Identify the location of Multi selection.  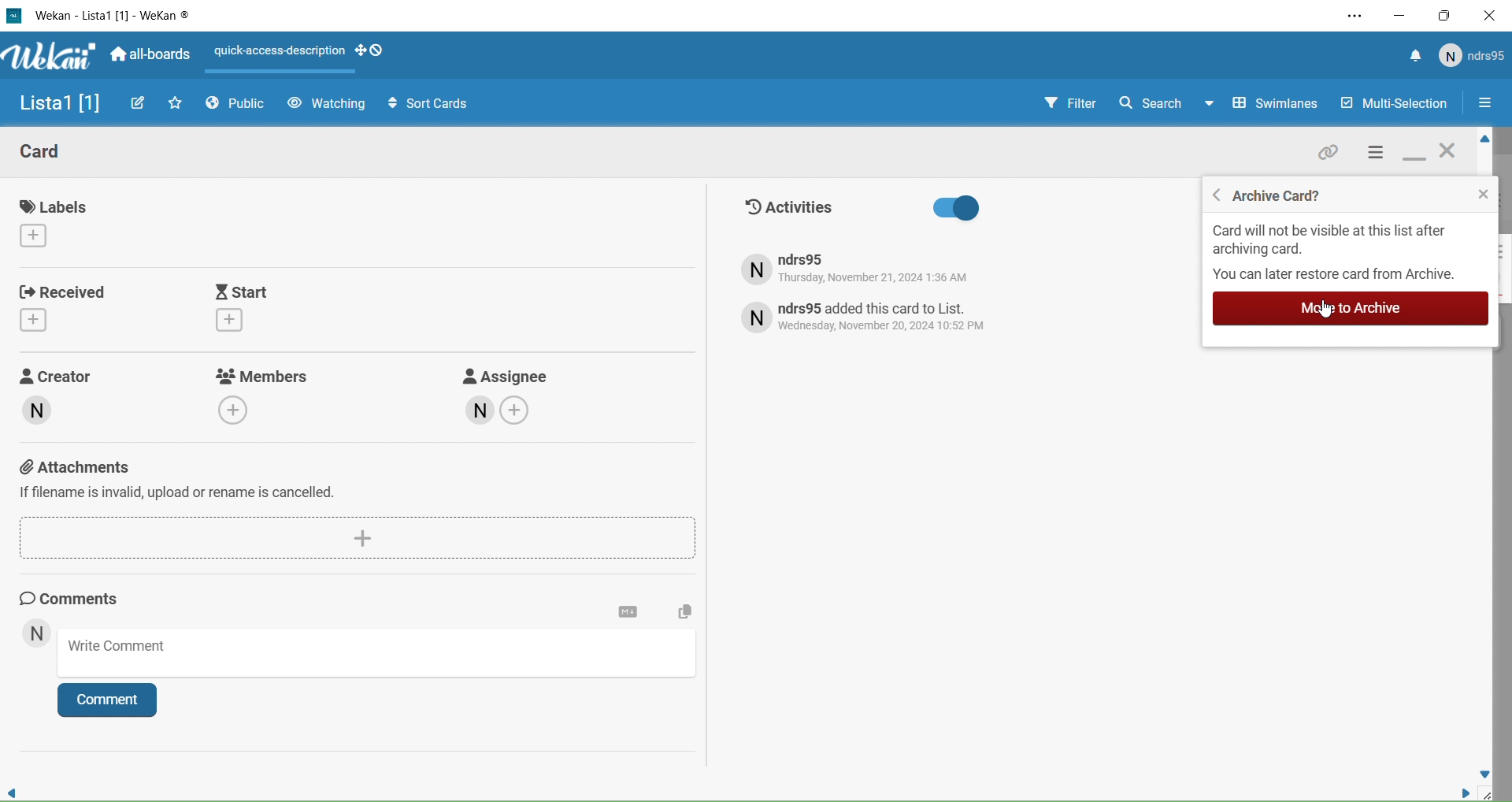
(1396, 106).